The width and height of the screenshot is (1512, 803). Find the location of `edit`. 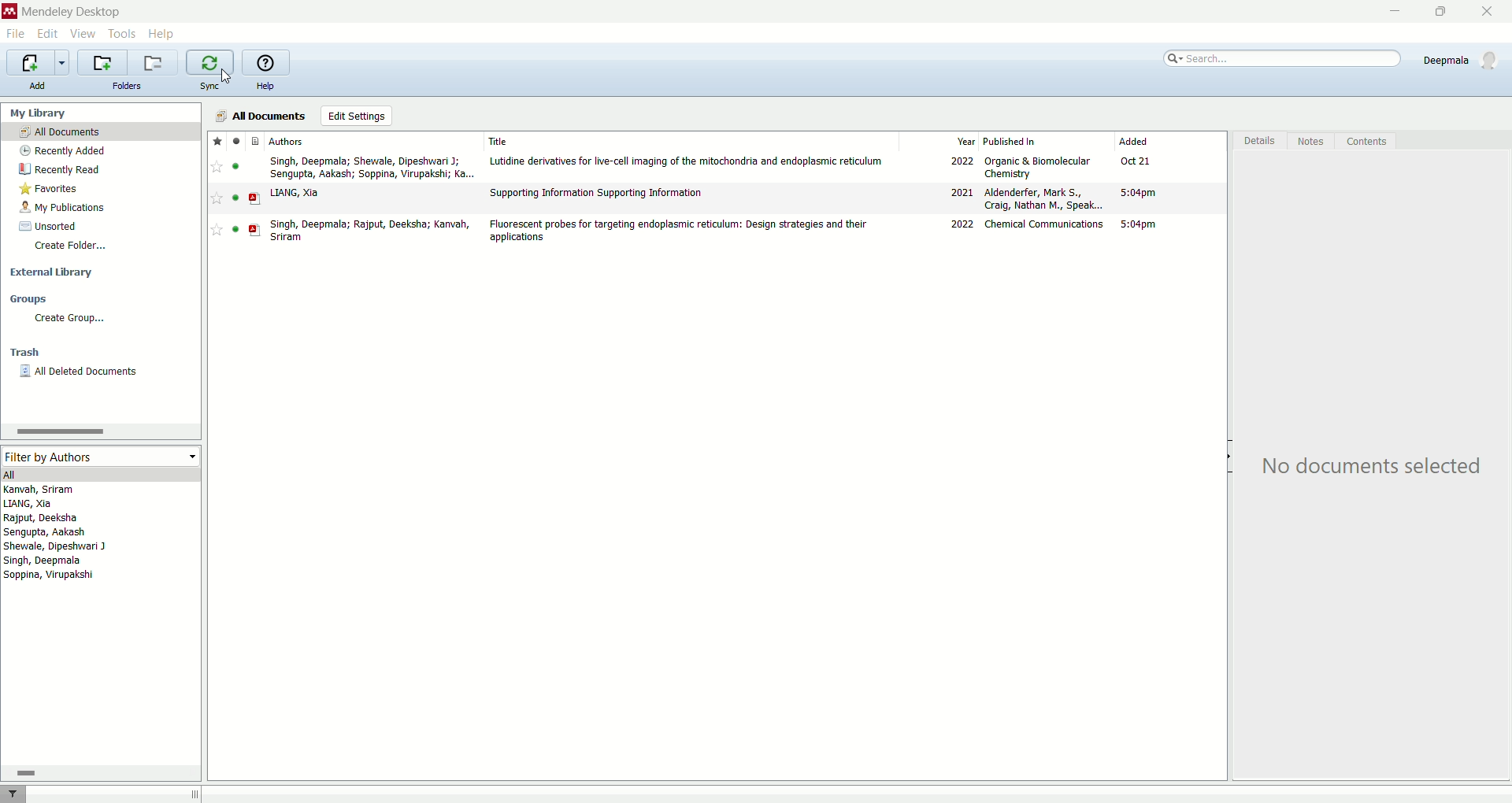

edit is located at coordinates (48, 35).